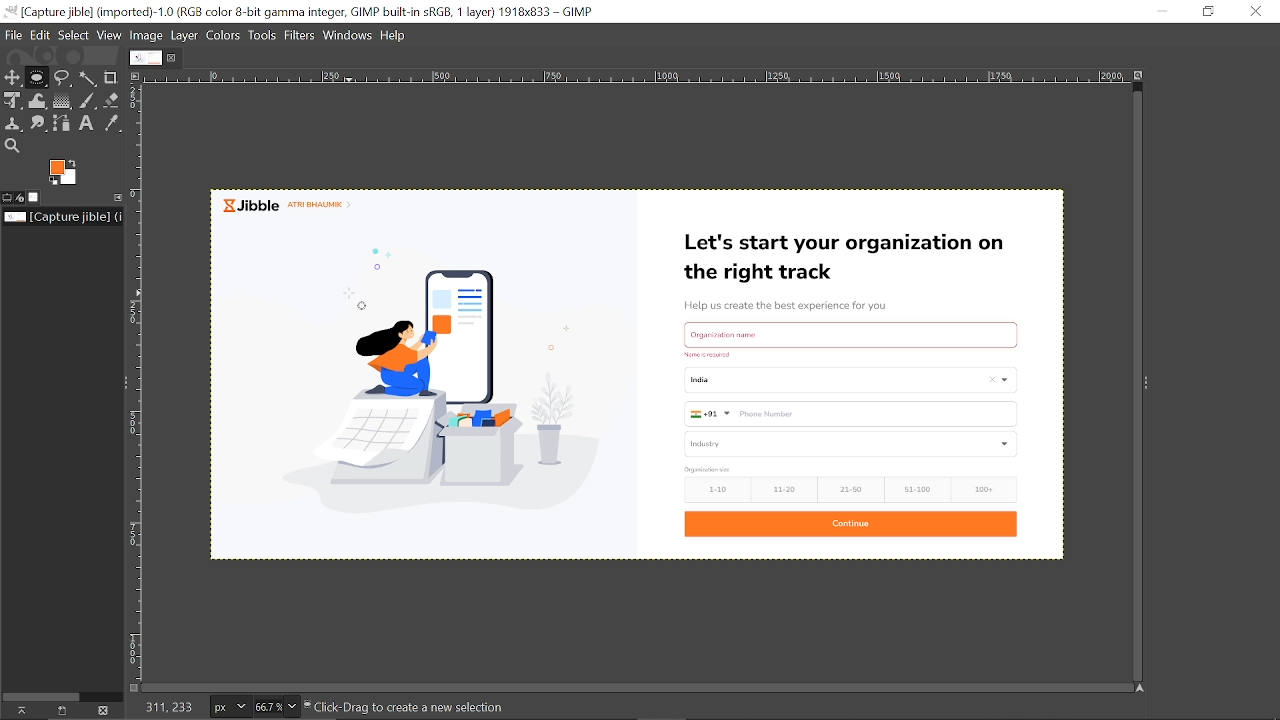  What do you see at coordinates (36, 197) in the screenshot?
I see `Images` at bounding box center [36, 197].